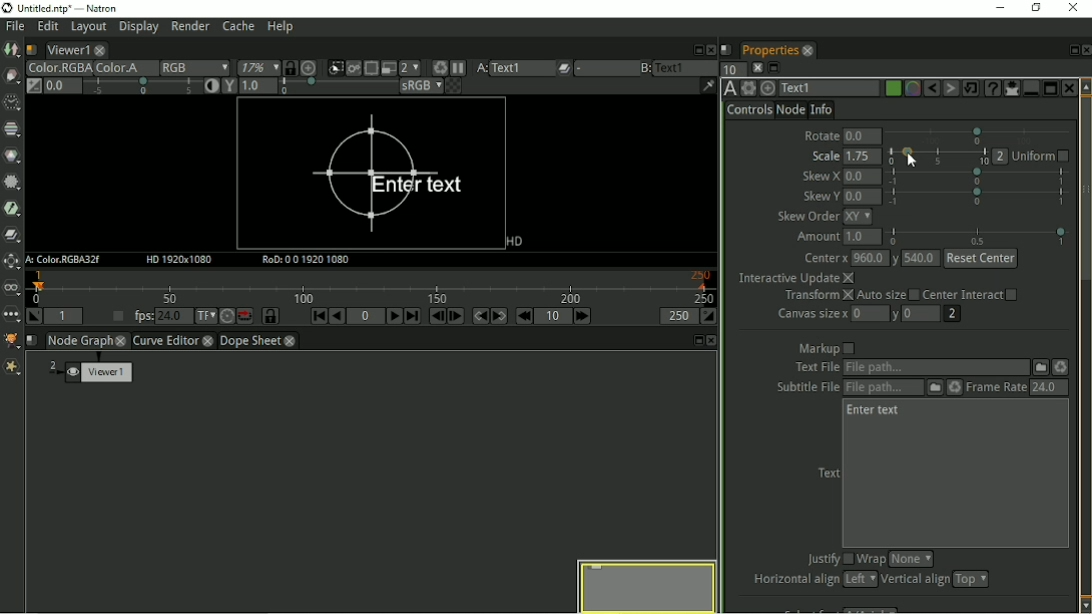 The height and width of the screenshot is (614, 1092). Describe the element at coordinates (950, 89) in the screenshot. I see `Redo` at that location.